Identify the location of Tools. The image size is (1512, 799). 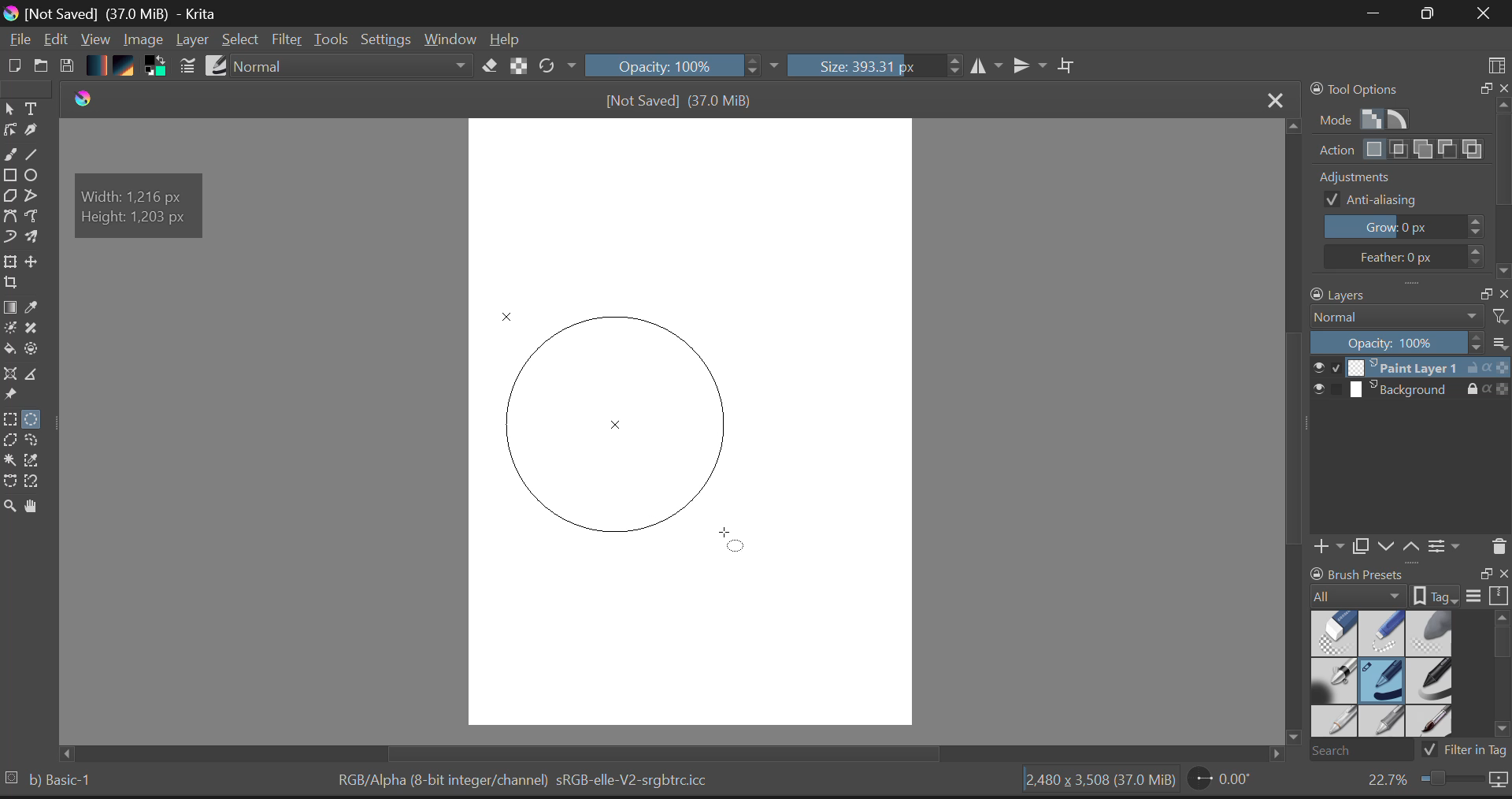
(332, 39).